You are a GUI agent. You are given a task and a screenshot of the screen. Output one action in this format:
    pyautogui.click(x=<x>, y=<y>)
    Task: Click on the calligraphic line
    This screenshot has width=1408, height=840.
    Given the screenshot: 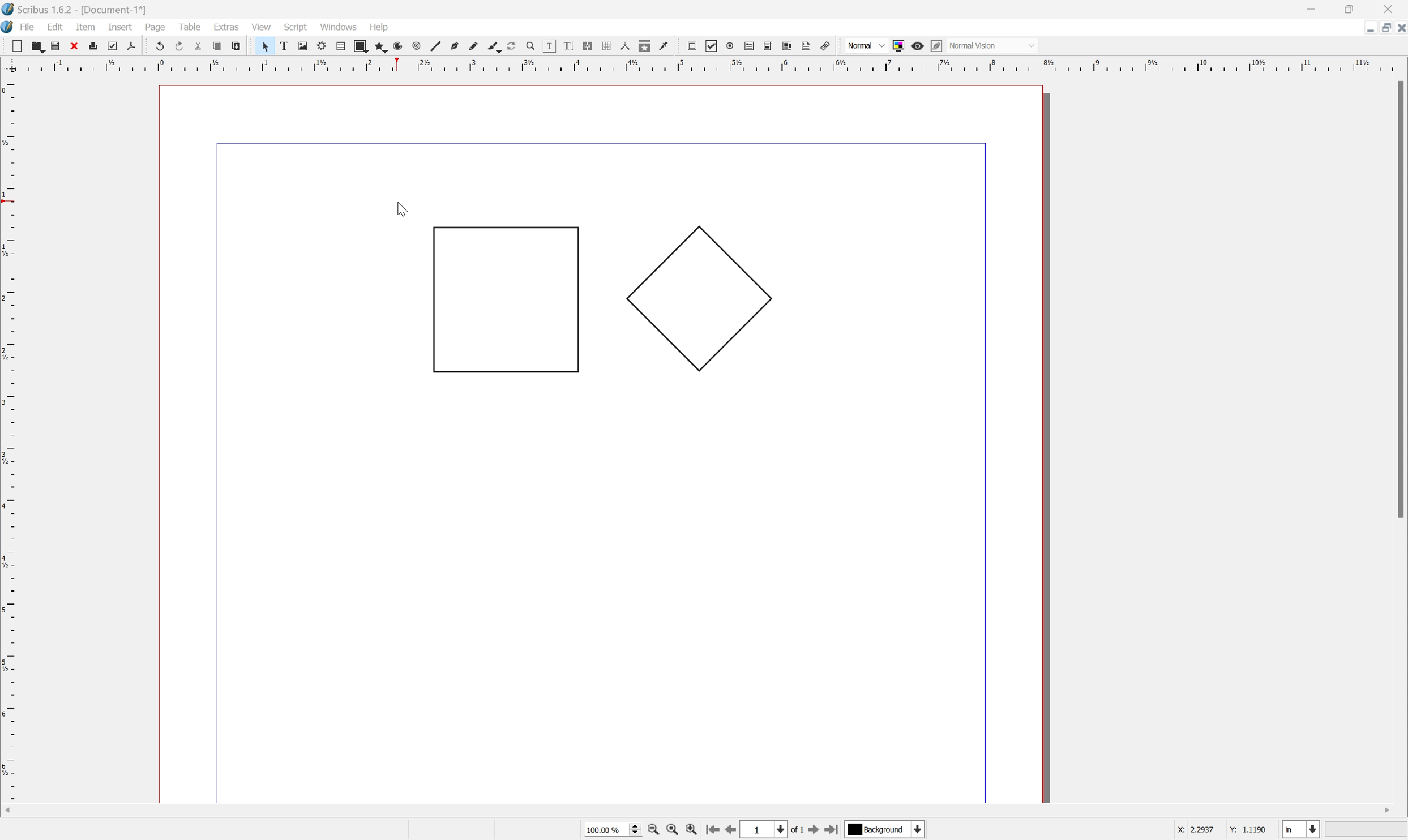 What is the action you would take?
    pyautogui.click(x=490, y=45)
    